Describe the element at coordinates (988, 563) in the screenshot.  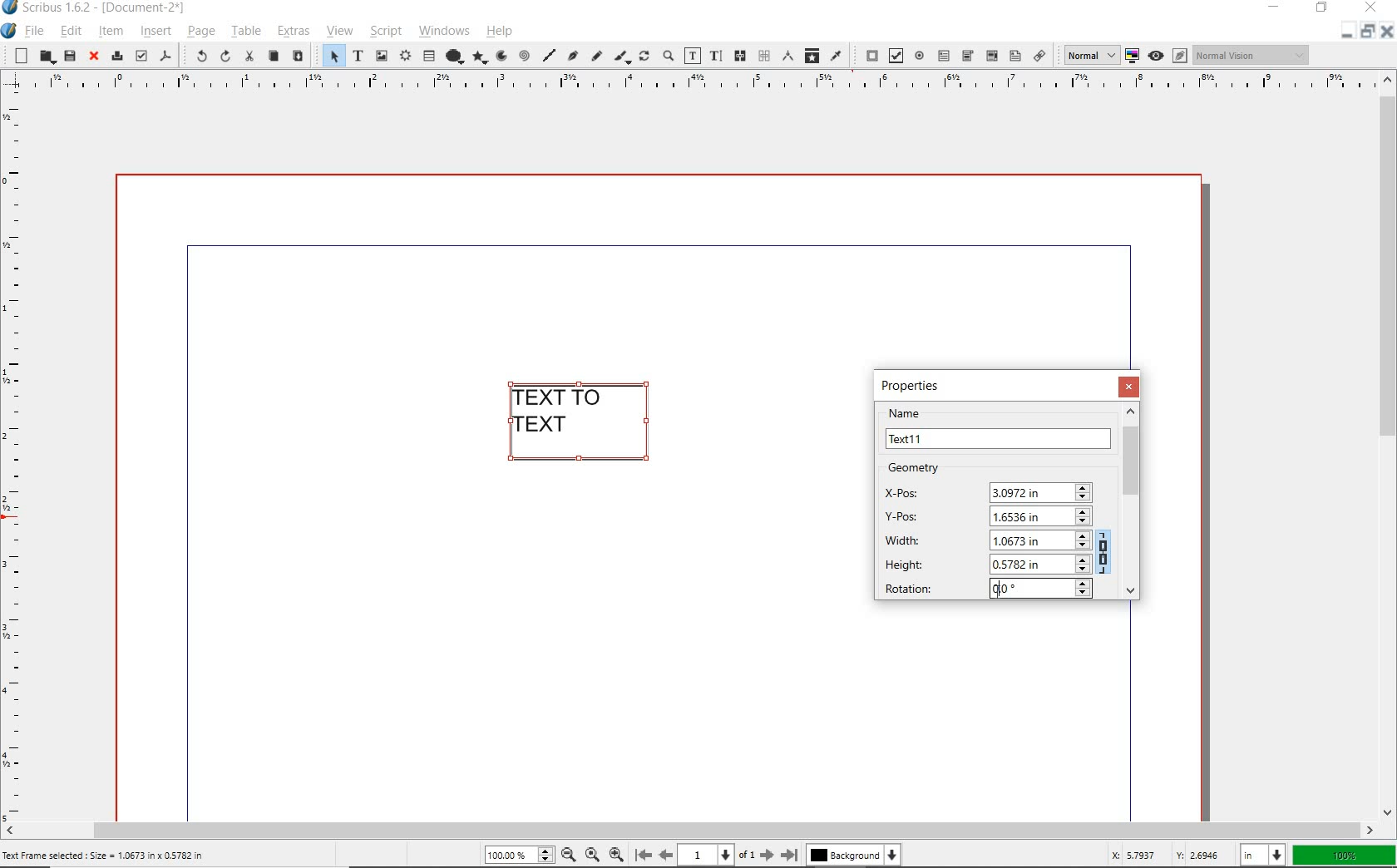
I see `HEIGHT` at that location.